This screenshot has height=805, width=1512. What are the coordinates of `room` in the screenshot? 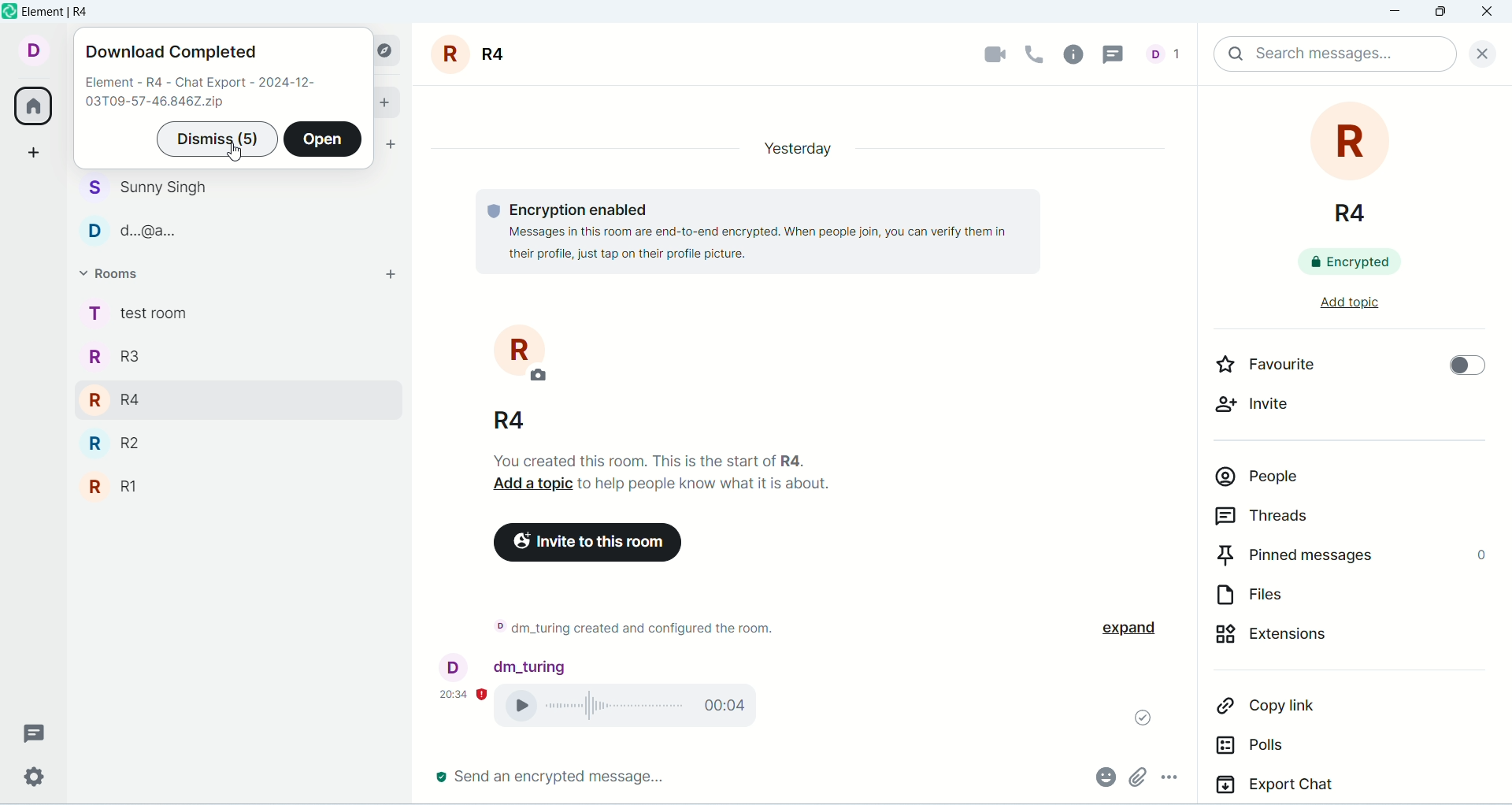 It's located at (474, 54).